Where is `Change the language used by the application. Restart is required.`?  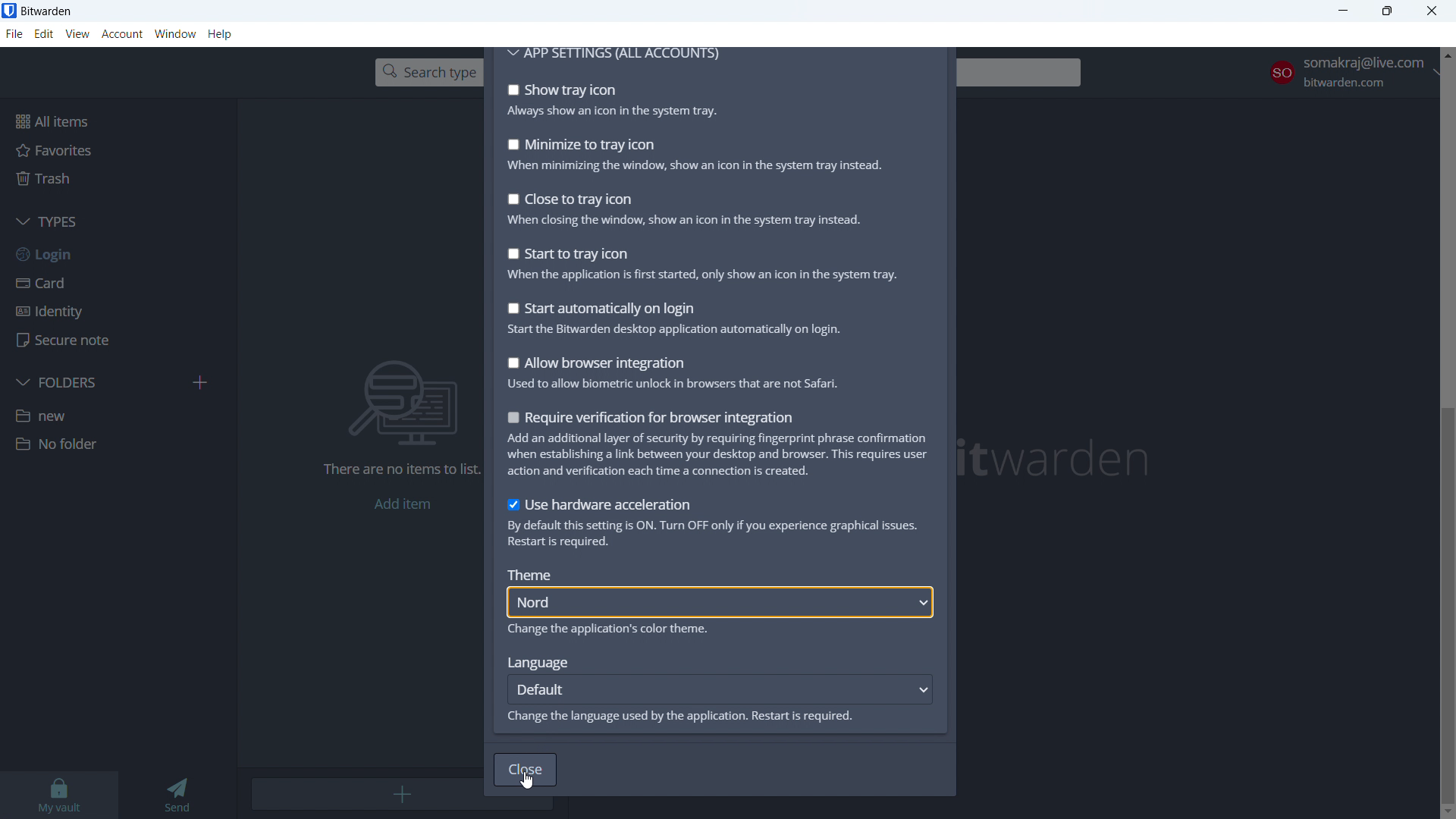 Change the language used by the application. Restart is required. is located at coordinates (682, 719).